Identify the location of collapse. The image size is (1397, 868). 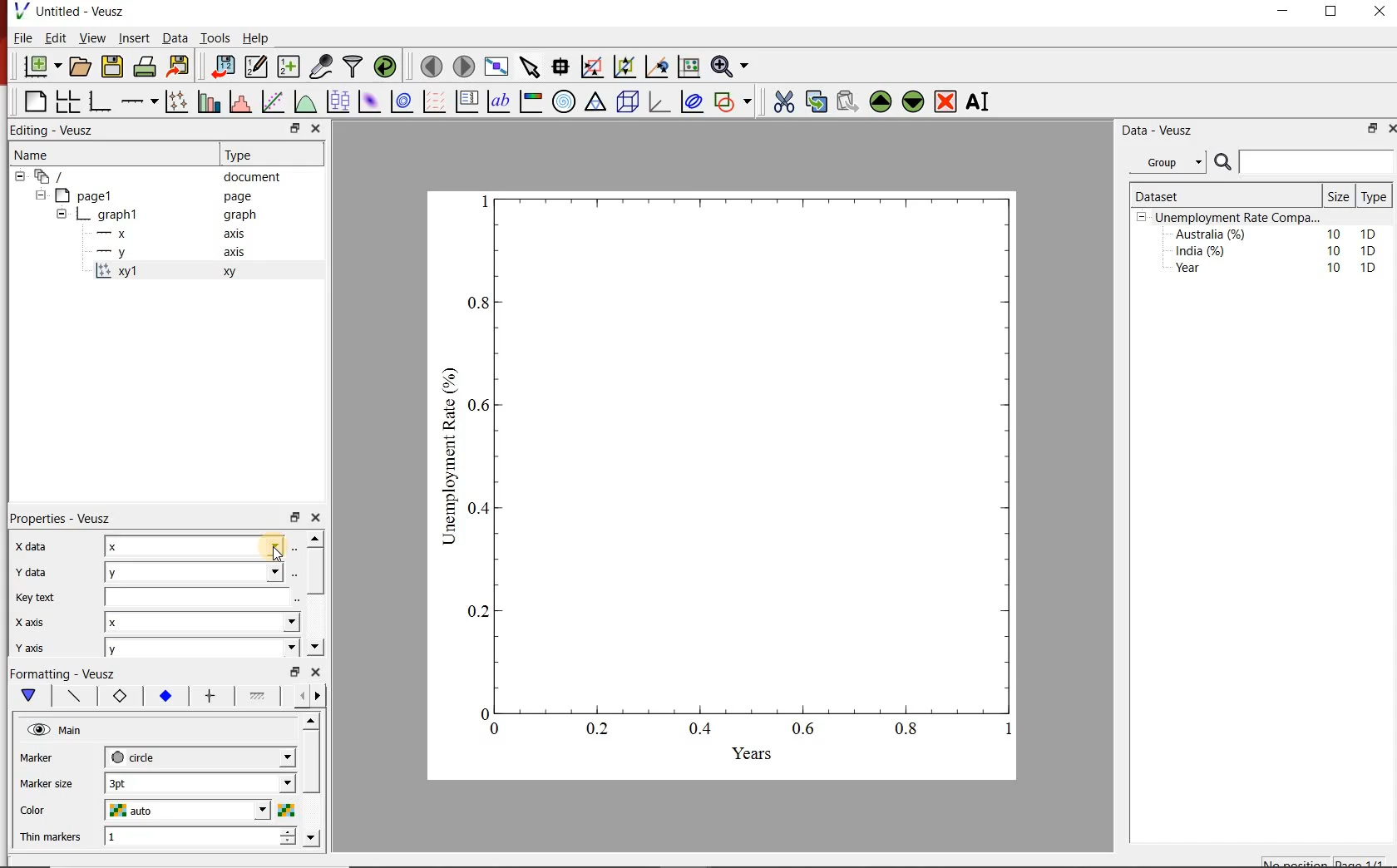
(40, 195).